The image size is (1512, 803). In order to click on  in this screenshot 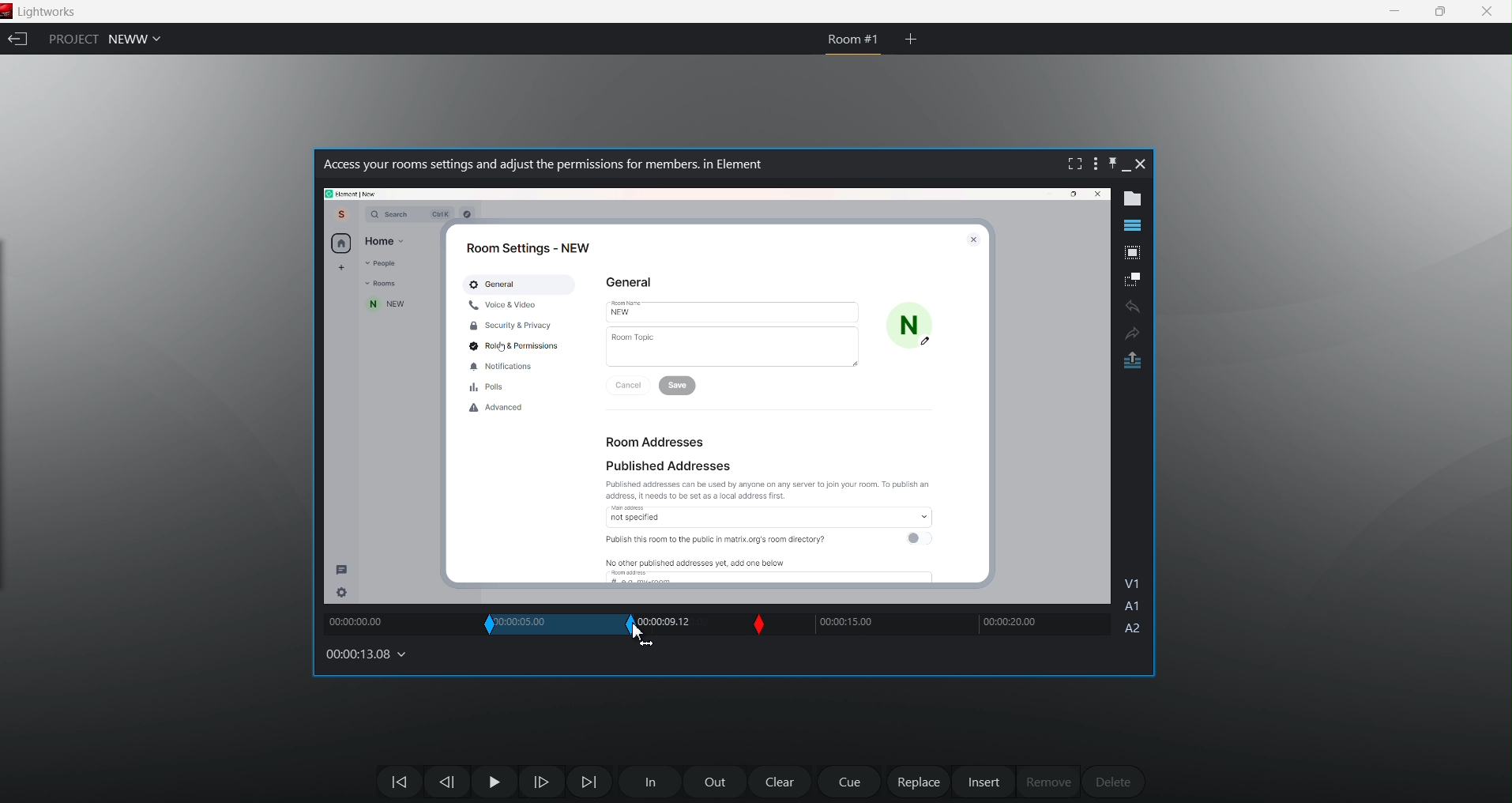, I will do `click(470, 213)`.